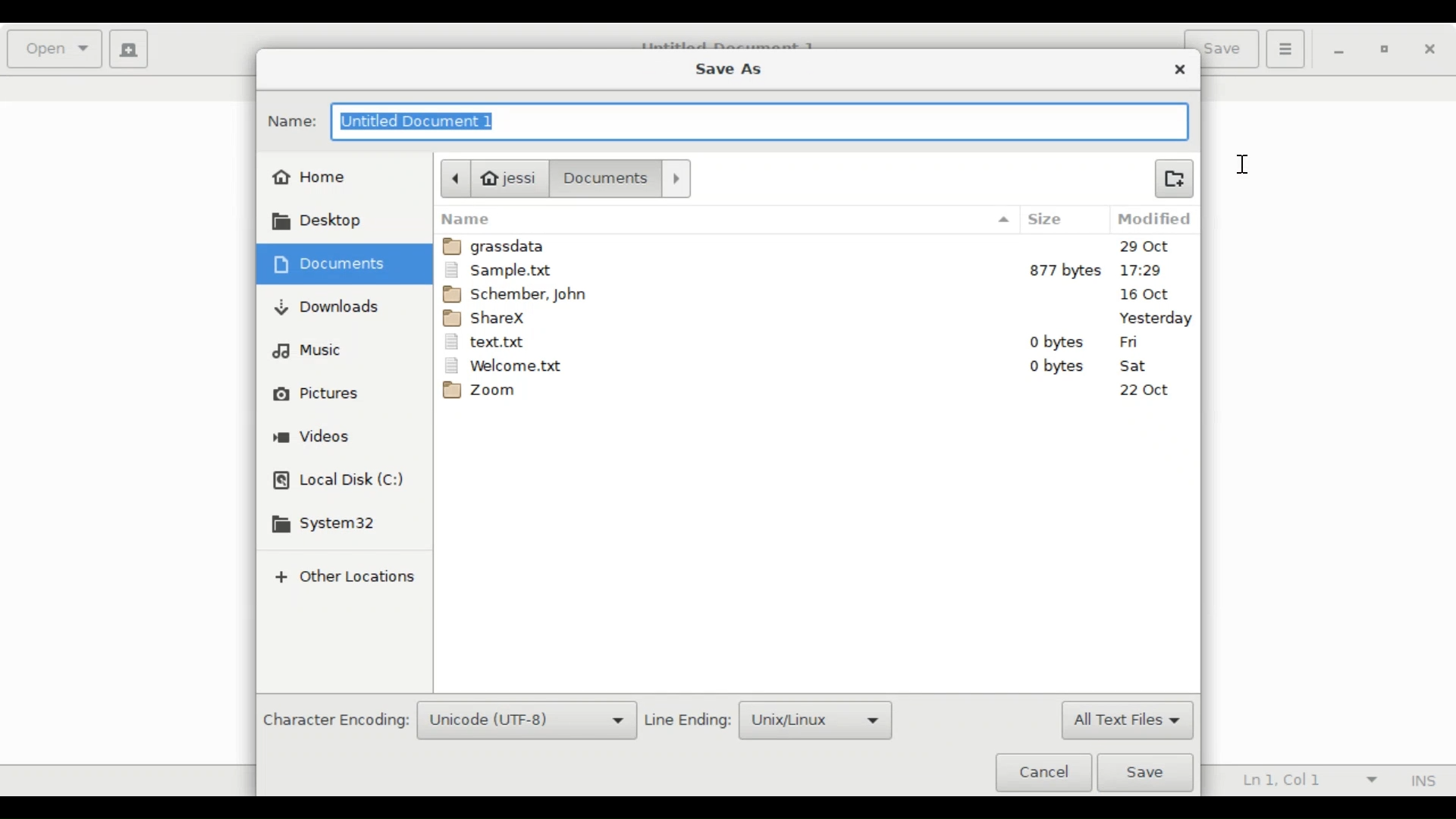 The image size is (1456, 819). What do you see at coordinates (1058, 220) in the screenshot?
I see `Size` at bounding box center [1058, 220].